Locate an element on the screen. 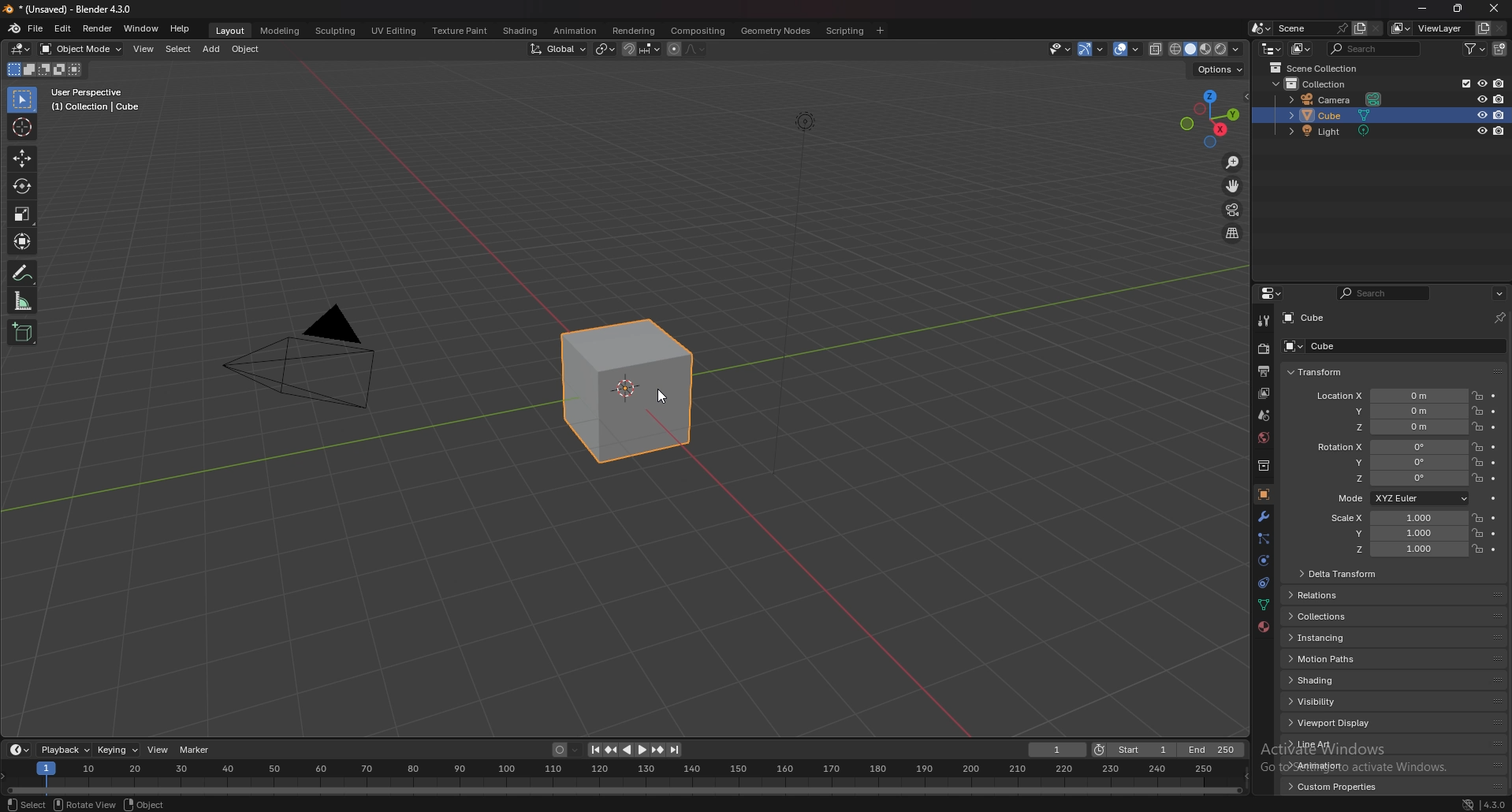 This screenshot has width=1512, height=812. options is located at coordinates (1499, 293).